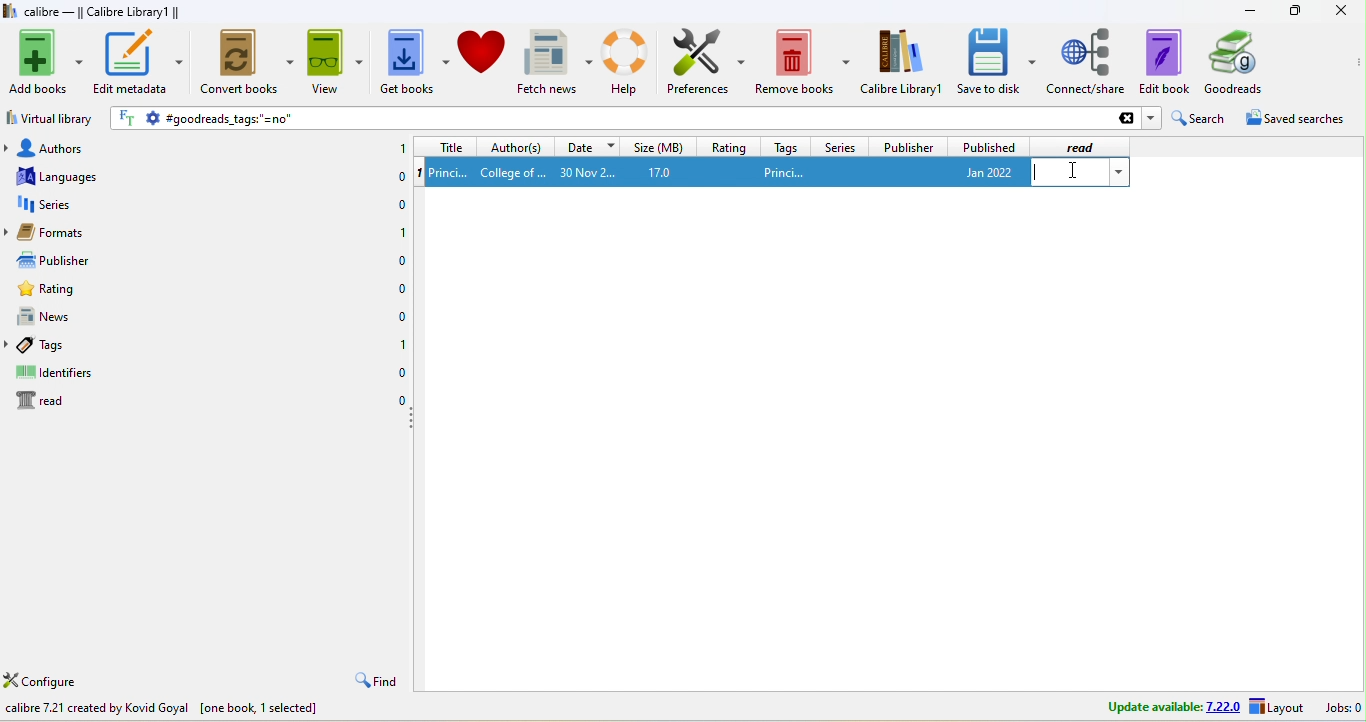  Describe the element at coordinates (402, 318) in the screenshot. I see `0` at that location.